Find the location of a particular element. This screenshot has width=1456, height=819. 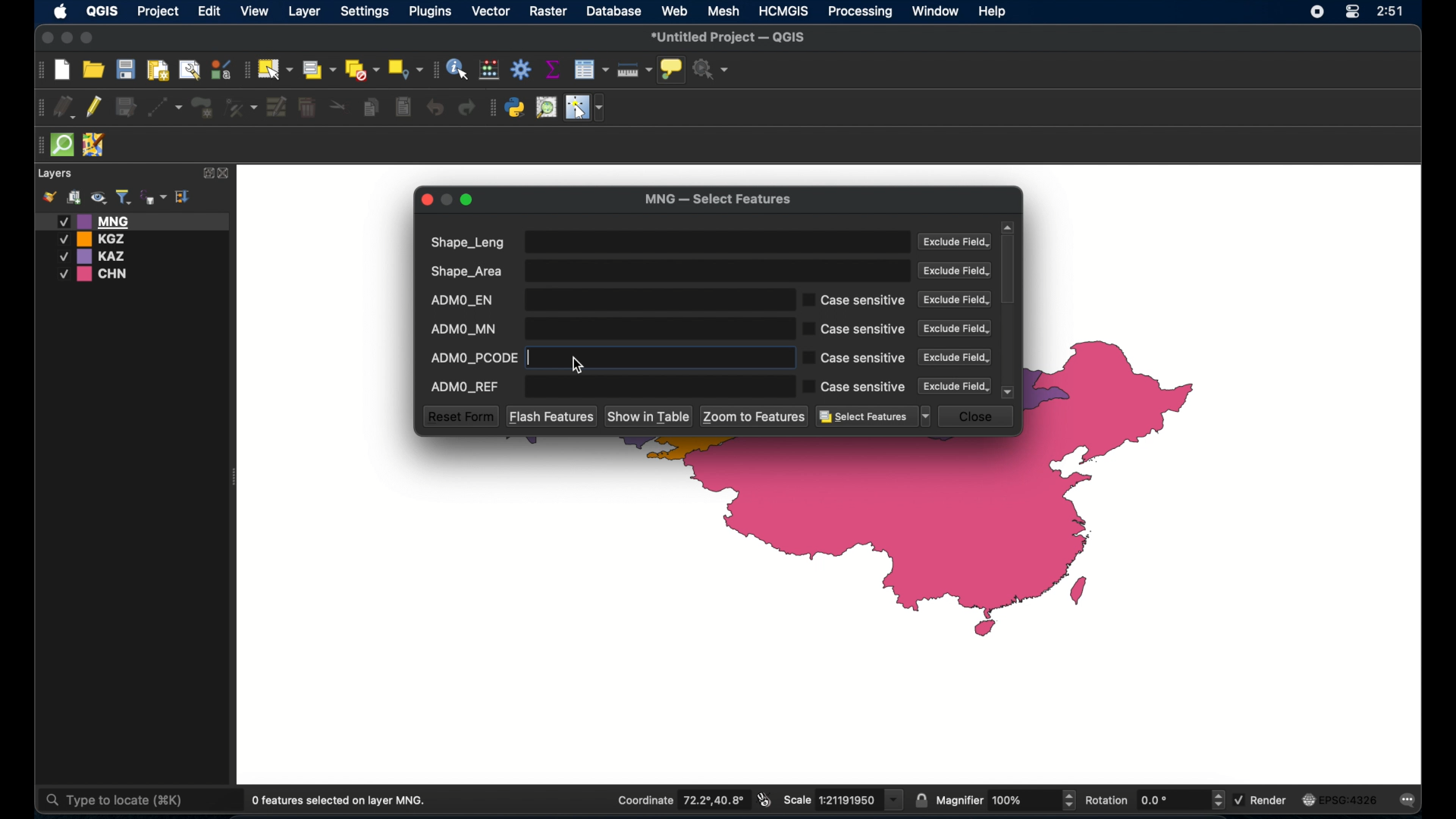

identify feature is located at coordinates (459, 69).